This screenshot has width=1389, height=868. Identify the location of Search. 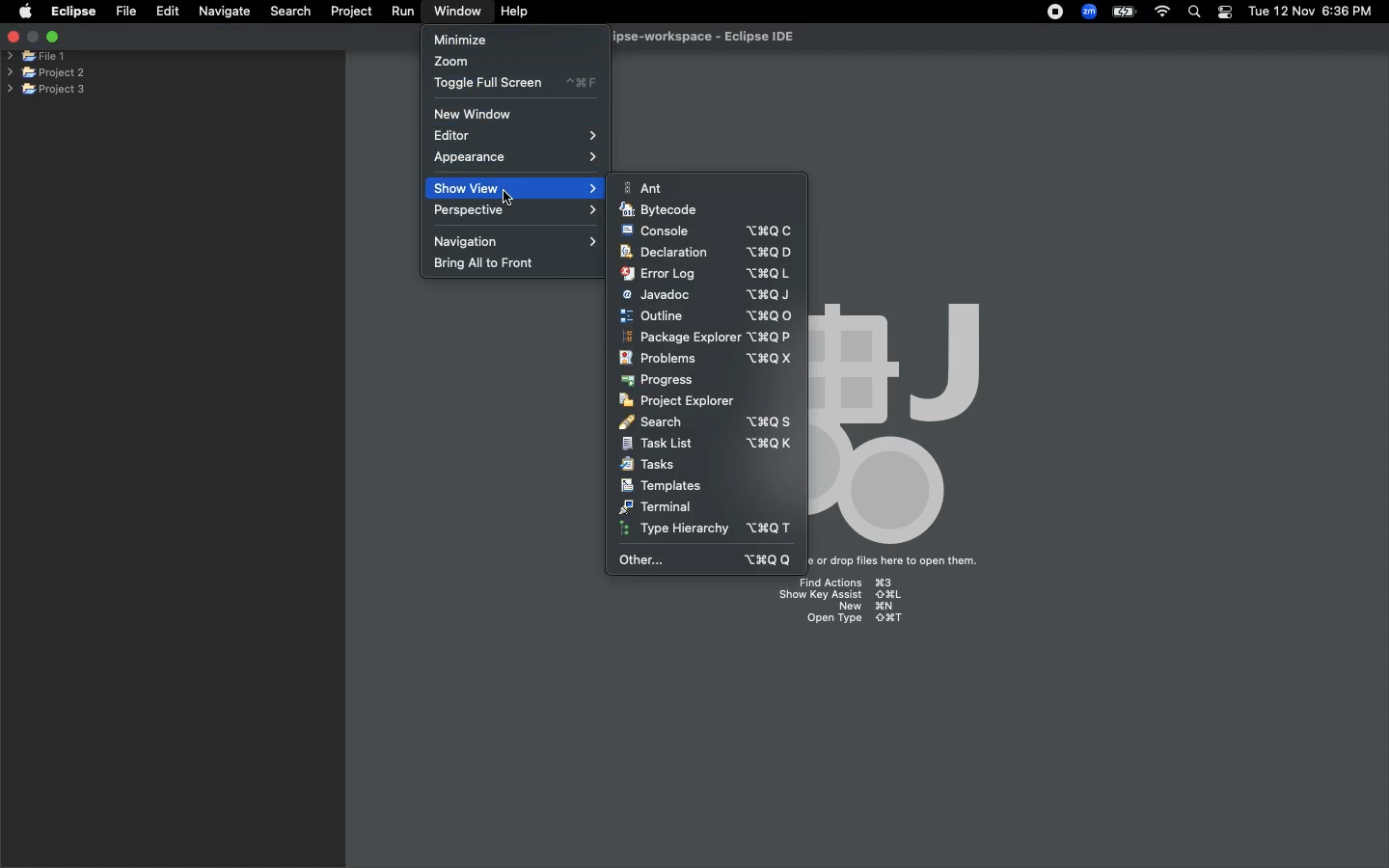
(705, 420).